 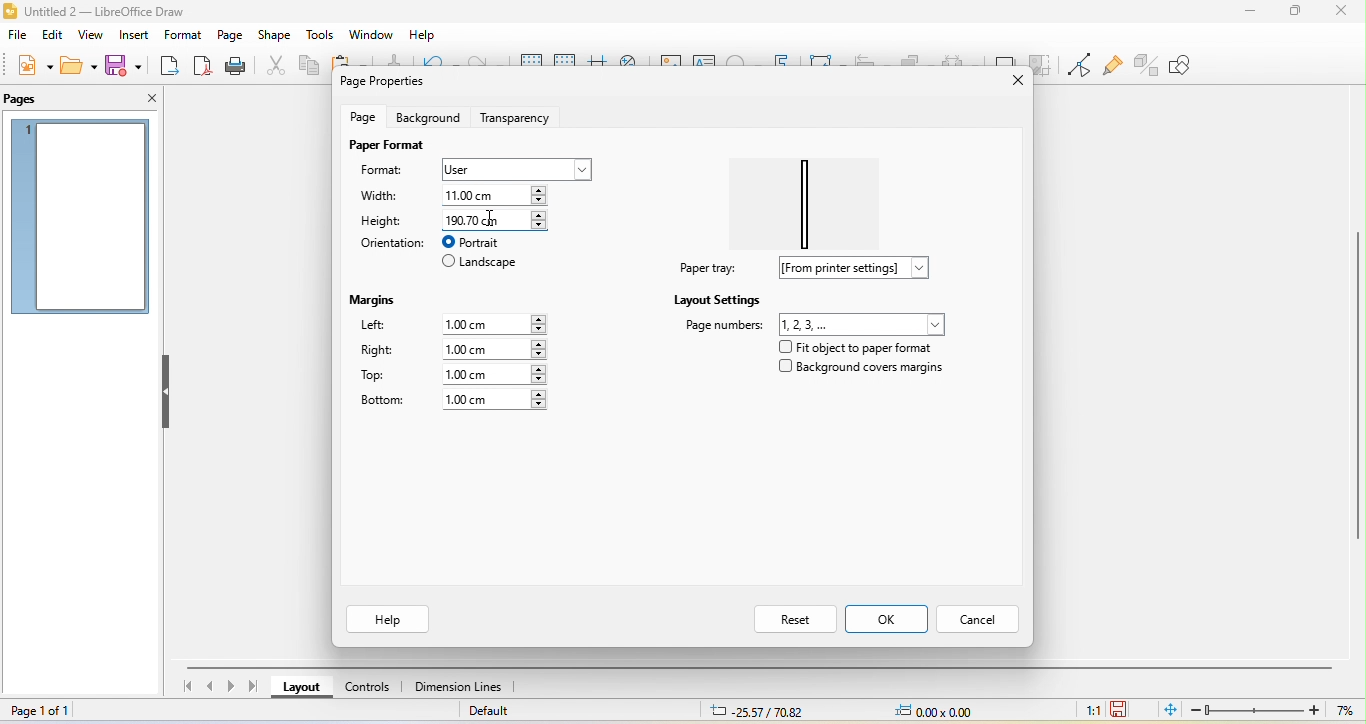 What do you see at coordinates (366, 116) in the screenshot?
I see `page` at bounding box center [366, 116].